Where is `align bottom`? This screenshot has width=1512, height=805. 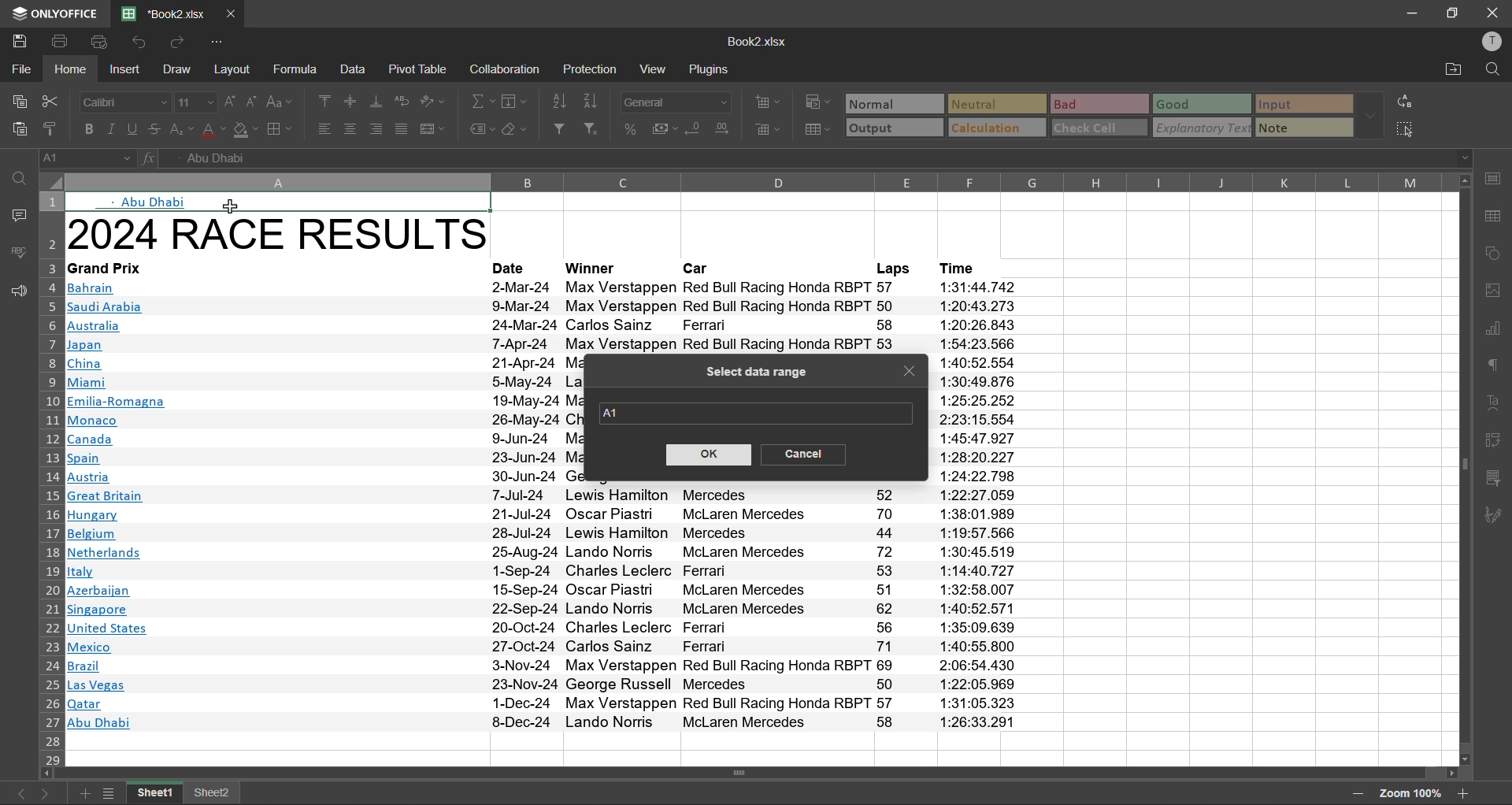 align bottom is located at coordinates (377, 102).